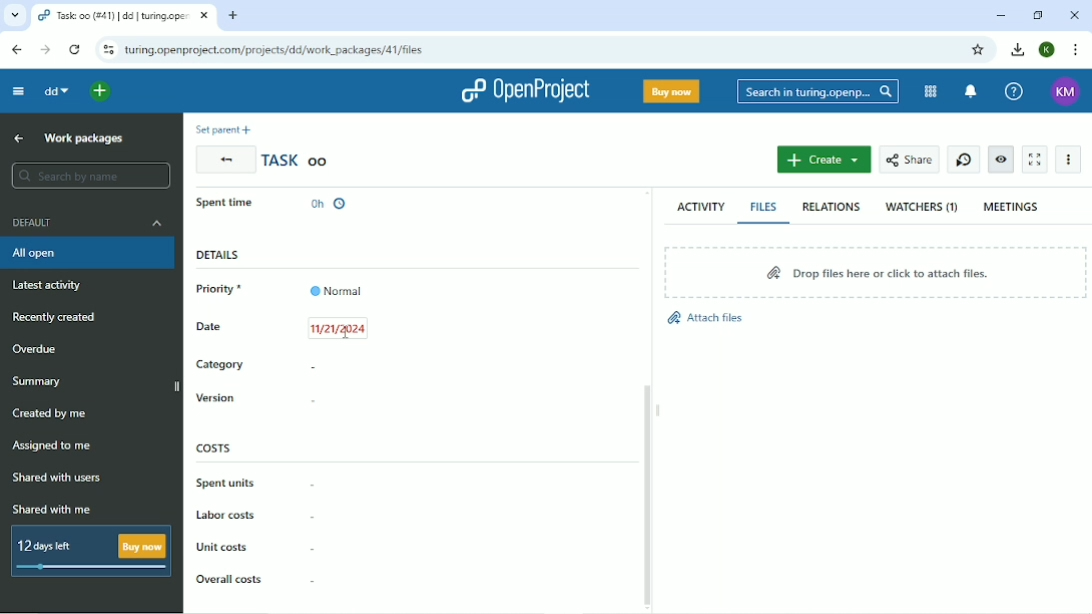  Describe the element at coordinates (225, 483) in the screenshot. I see `Spent units` at that location.